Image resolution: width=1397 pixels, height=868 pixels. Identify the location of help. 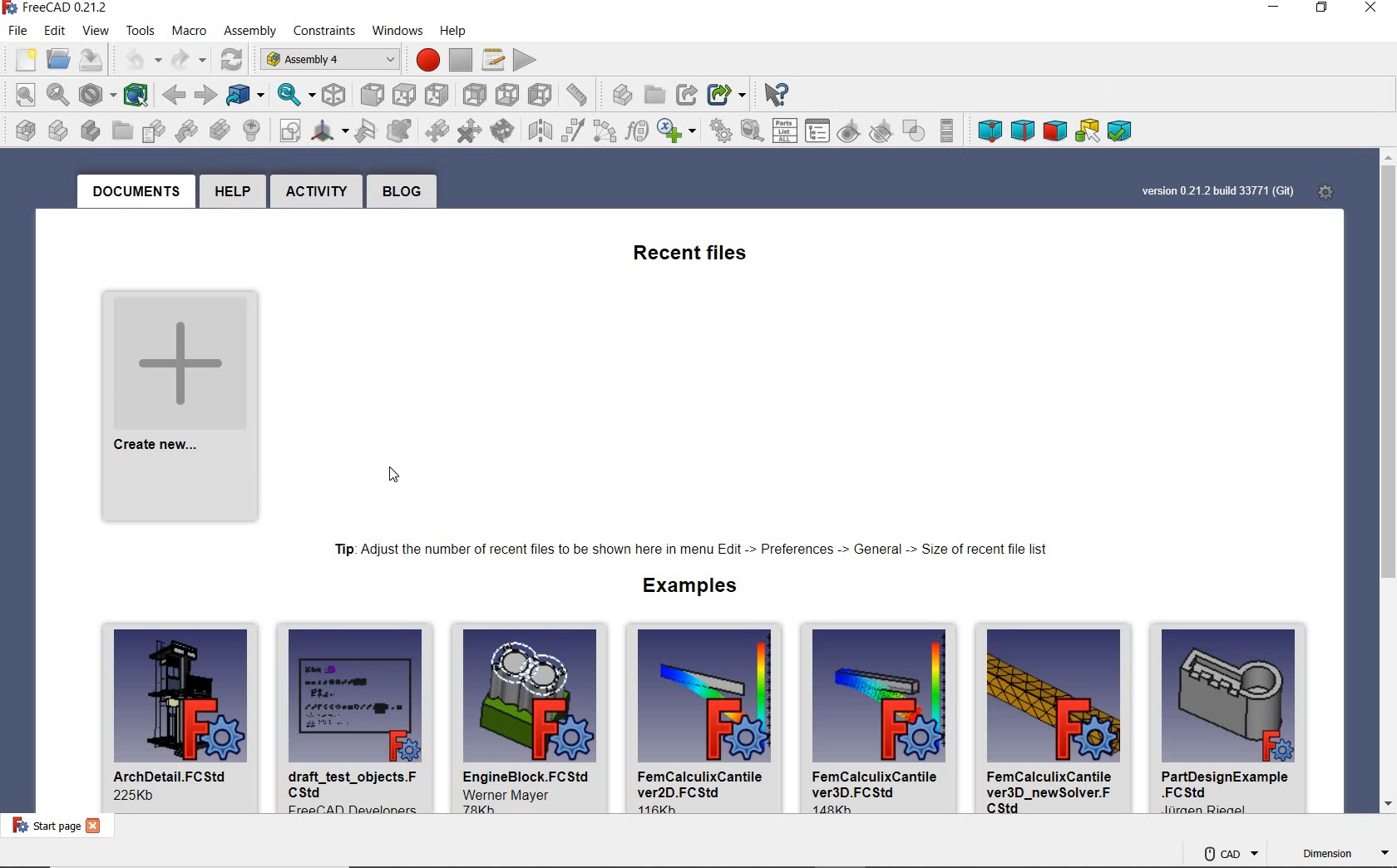
(232, 191).